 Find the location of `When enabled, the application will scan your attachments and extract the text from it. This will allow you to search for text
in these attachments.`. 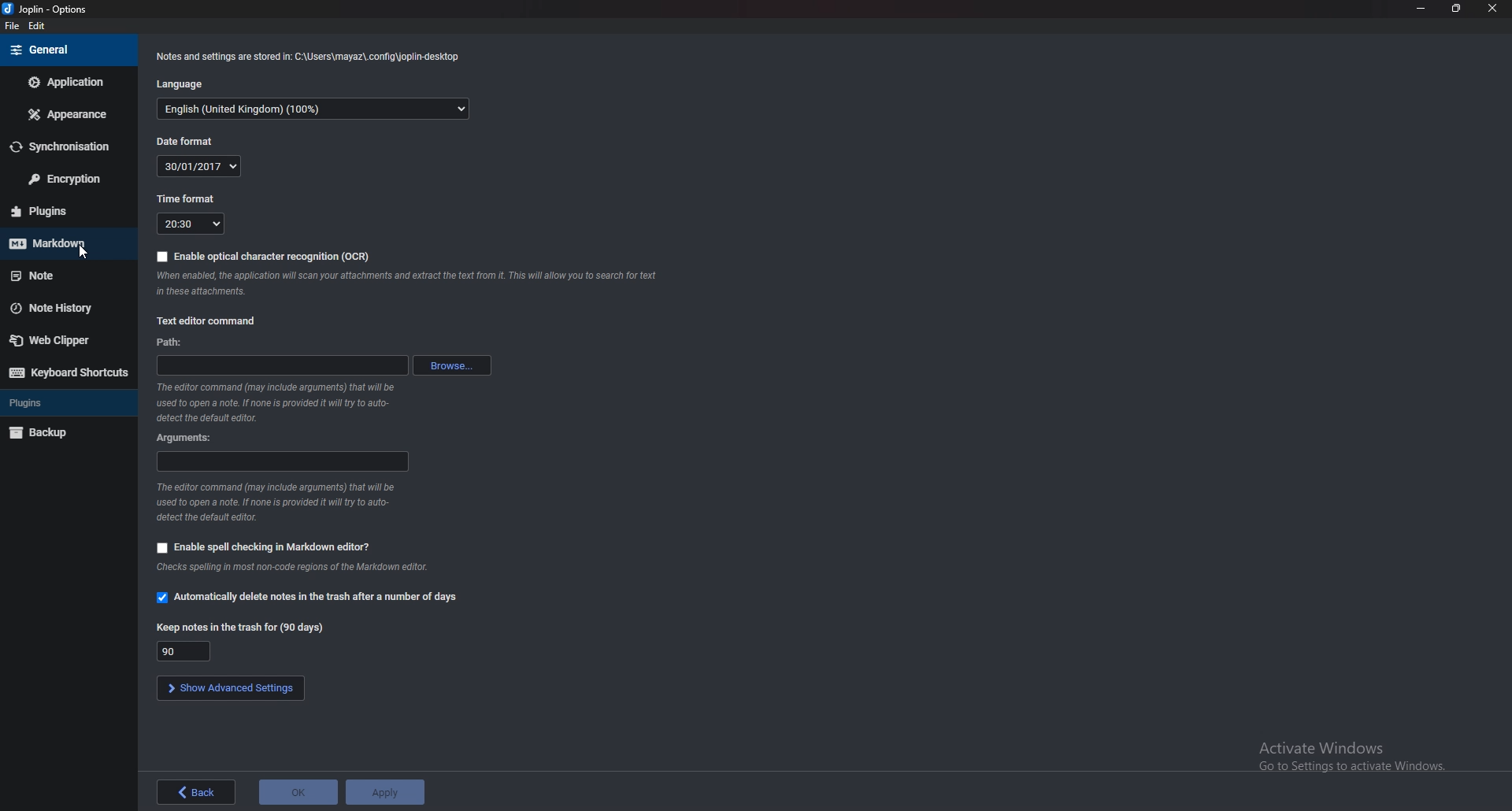

When enabled, the application will scan your attachments and extract the text from it. This will allow you to search for text
in these attachments. is located at coordinates (409, 283).